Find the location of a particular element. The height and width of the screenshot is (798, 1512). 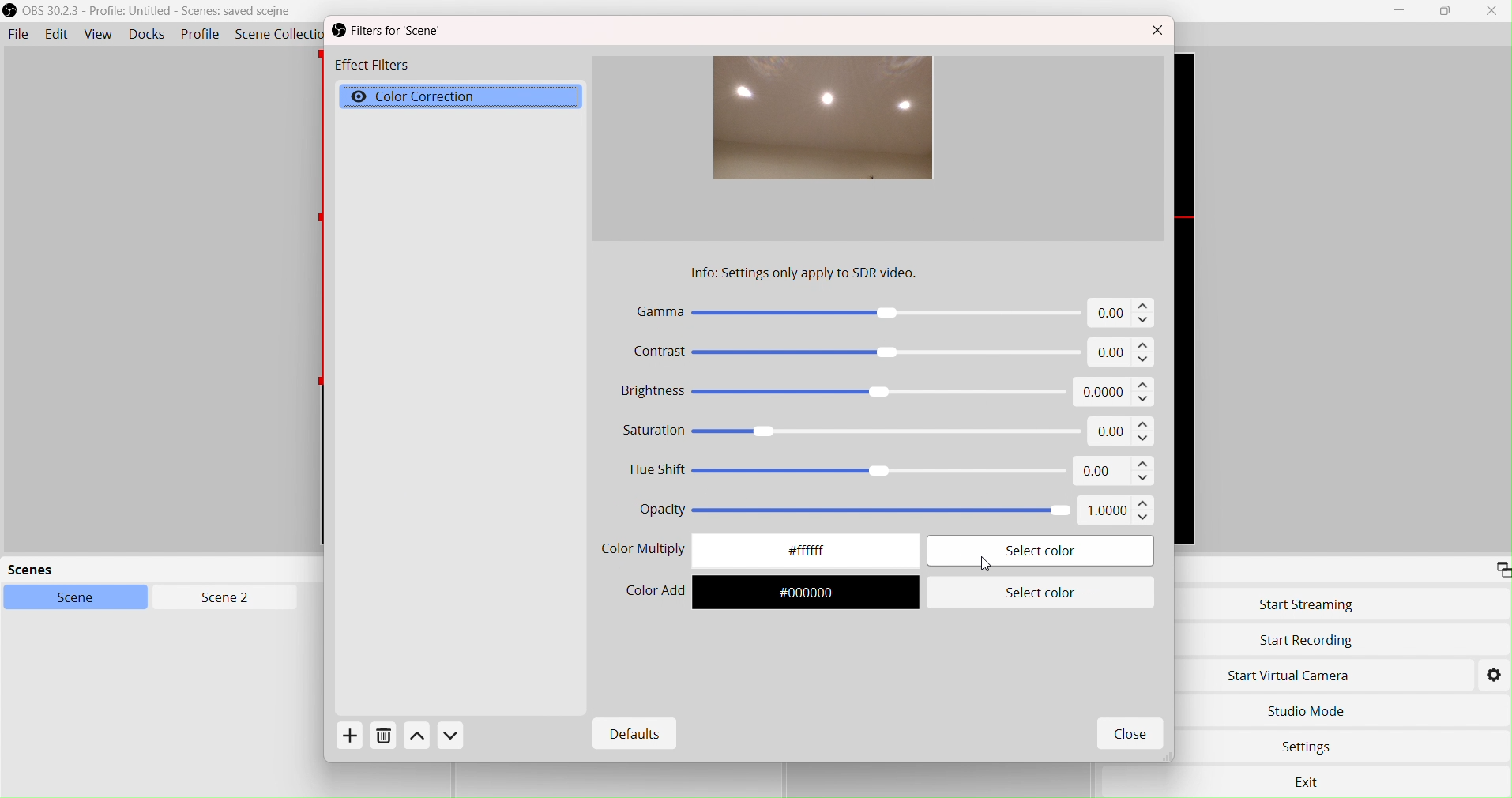

Delete is located at coordinates (384, 740).